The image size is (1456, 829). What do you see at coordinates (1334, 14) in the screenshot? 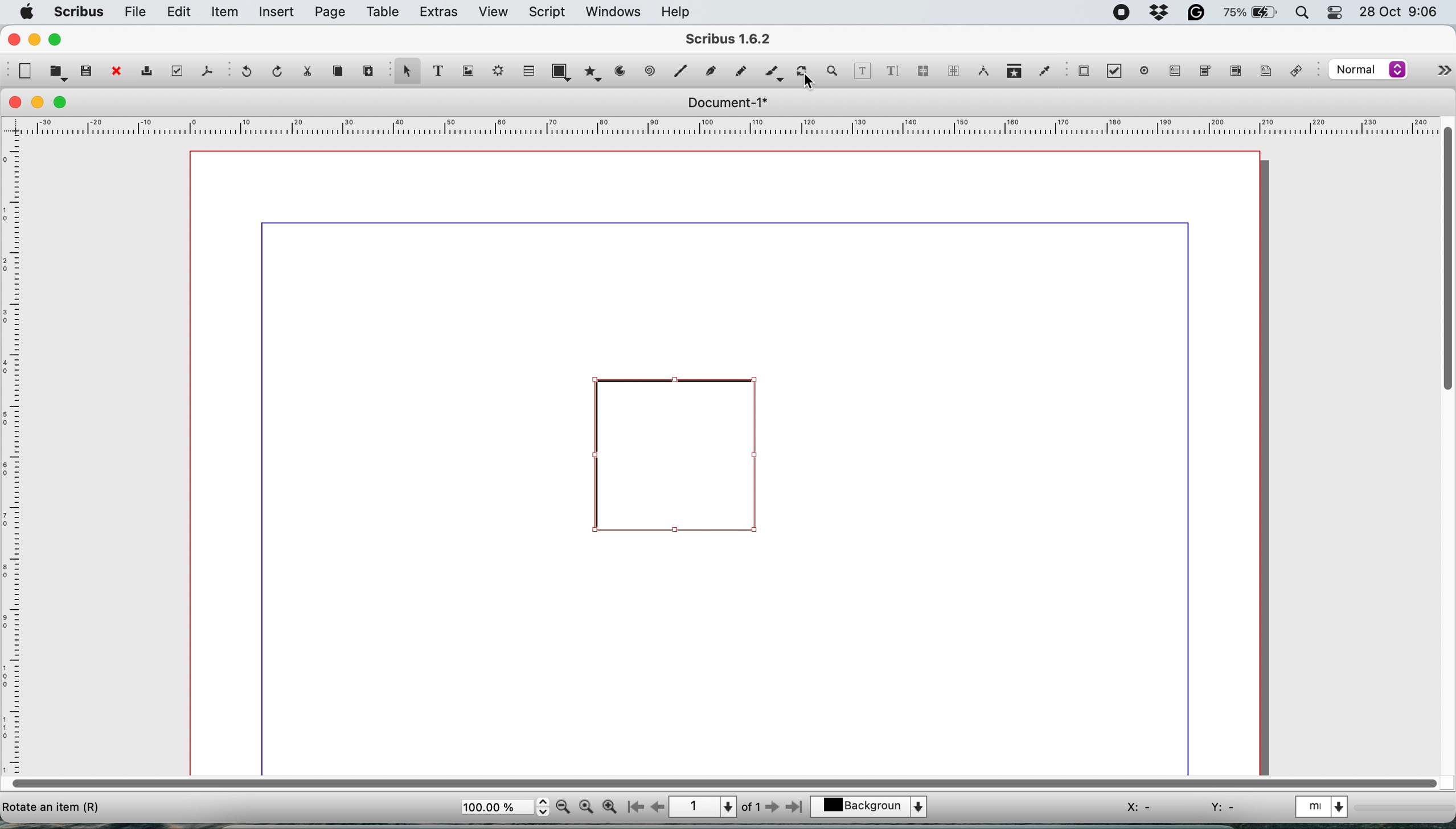
I see `control center` at bounding box center [1334, 14].